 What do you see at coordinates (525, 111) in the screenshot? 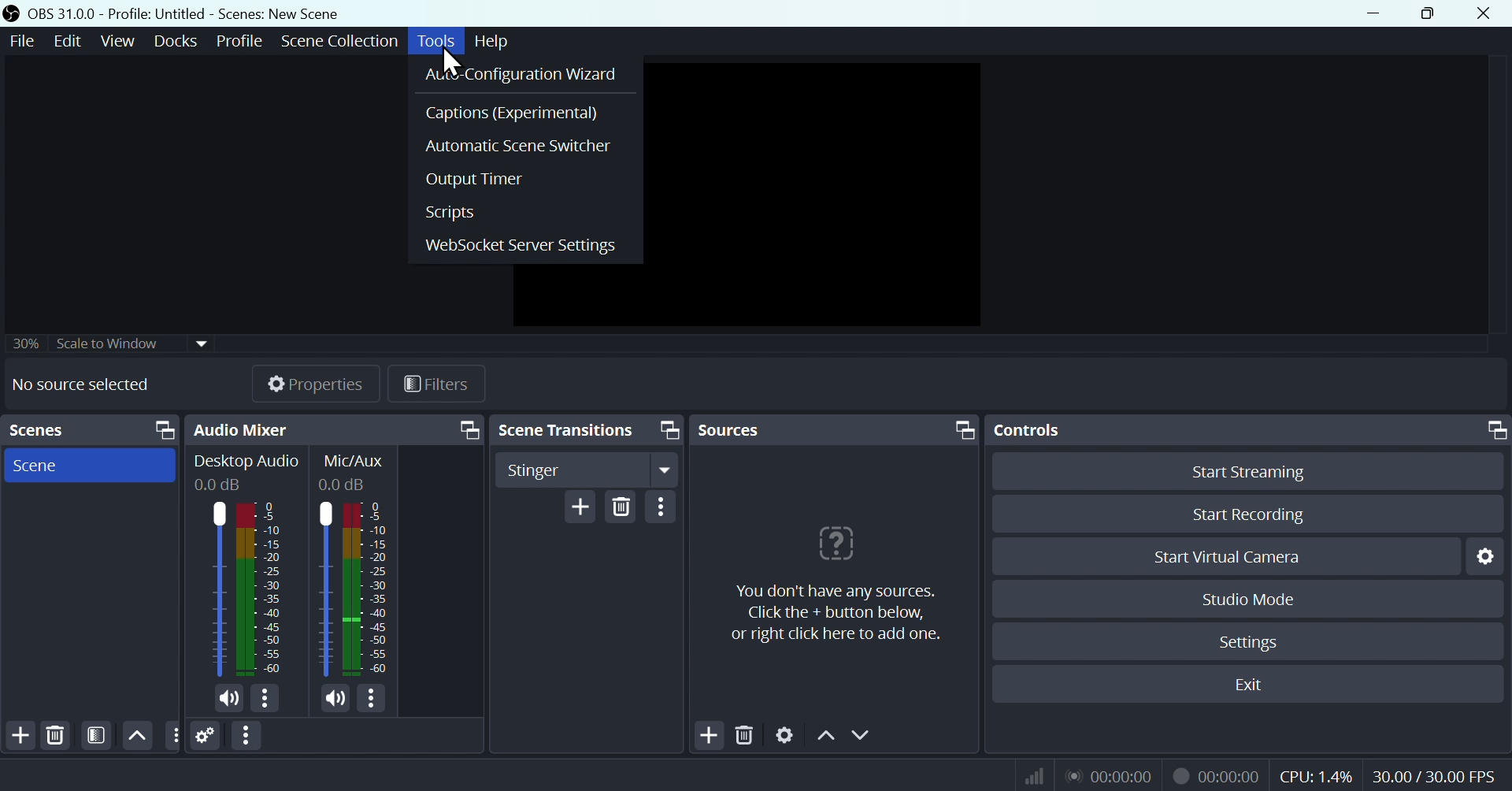
I see `captions experimental` at bounding box center [525, 111].